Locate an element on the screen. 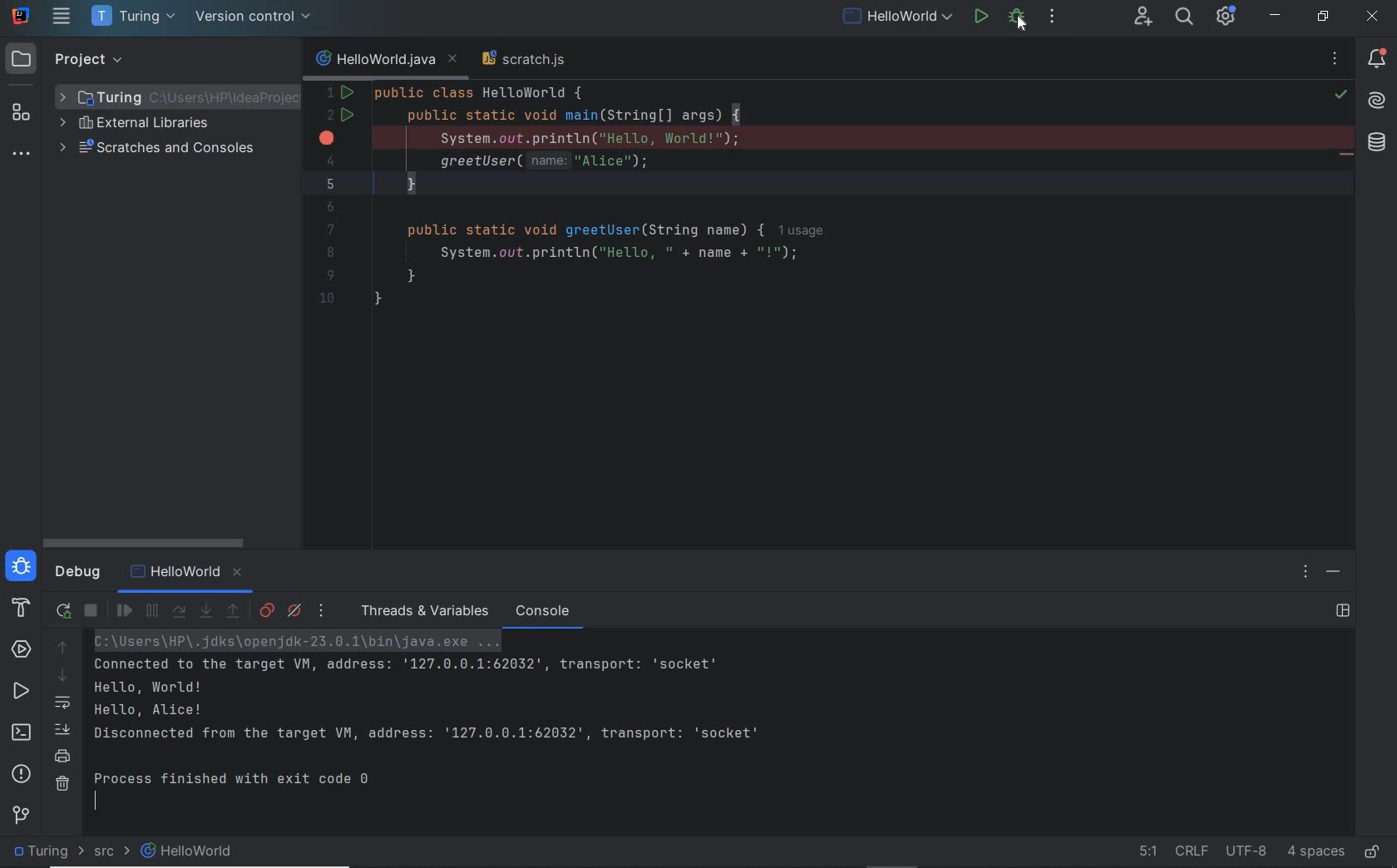  step out is located at coordinates (234, 614).